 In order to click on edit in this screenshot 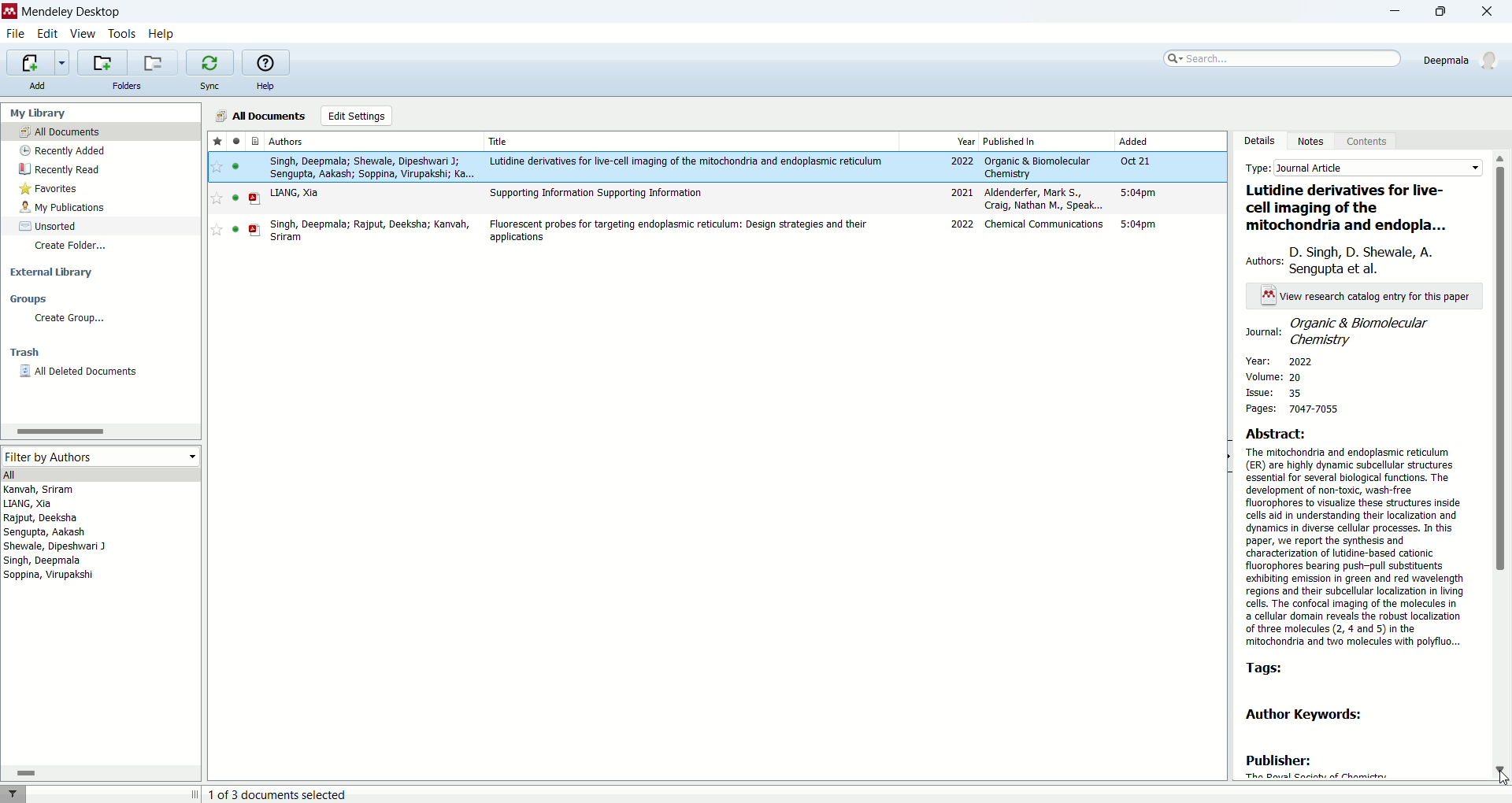, I will do `click(46, 35)`.